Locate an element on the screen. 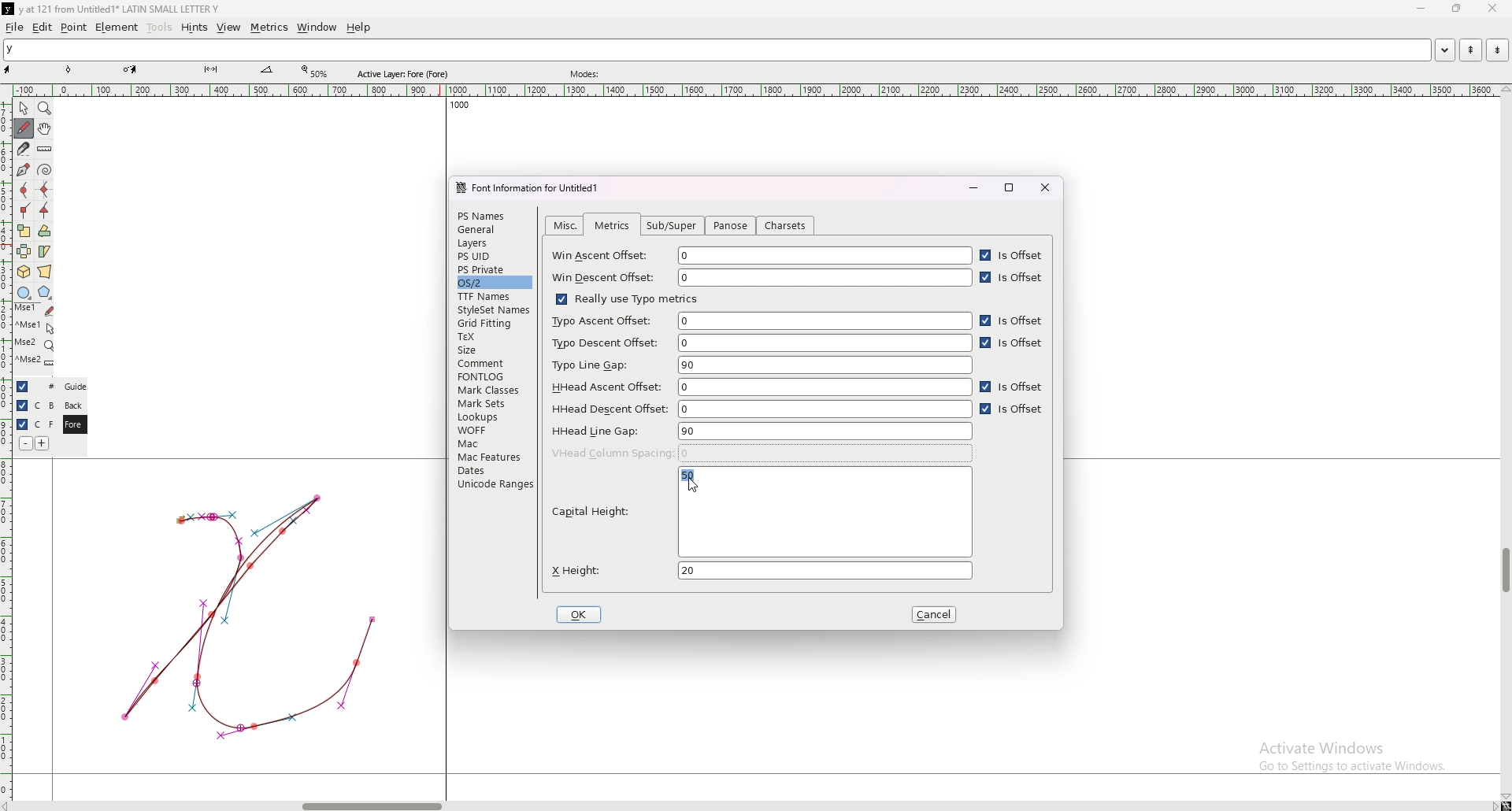 The image size is (1512, 811). mse 1 is located at coordinates (34, 309).